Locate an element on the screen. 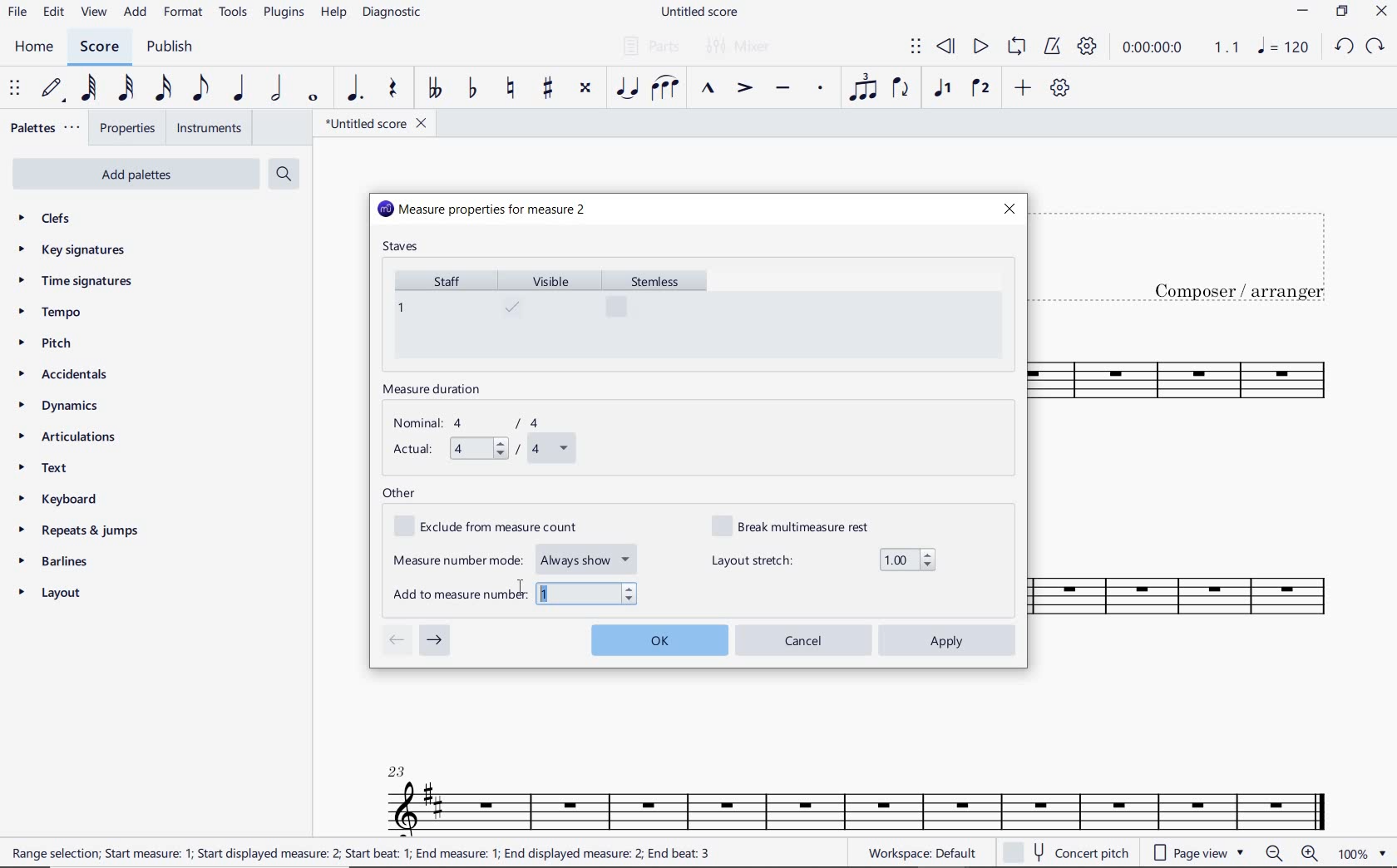  VIEW is located at coordinates (94, 13).